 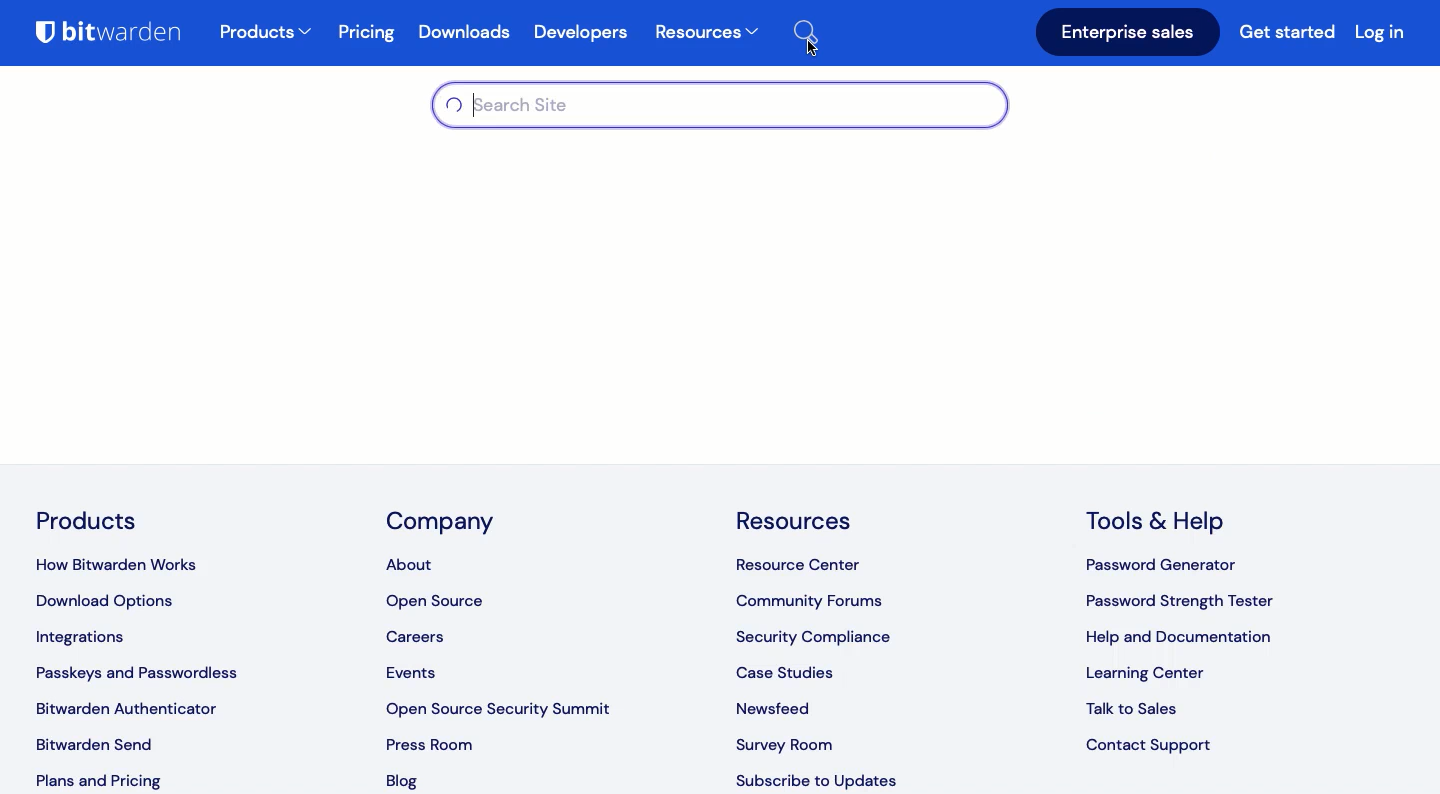 I want to click on Get started, so click(x=1290, y=35).